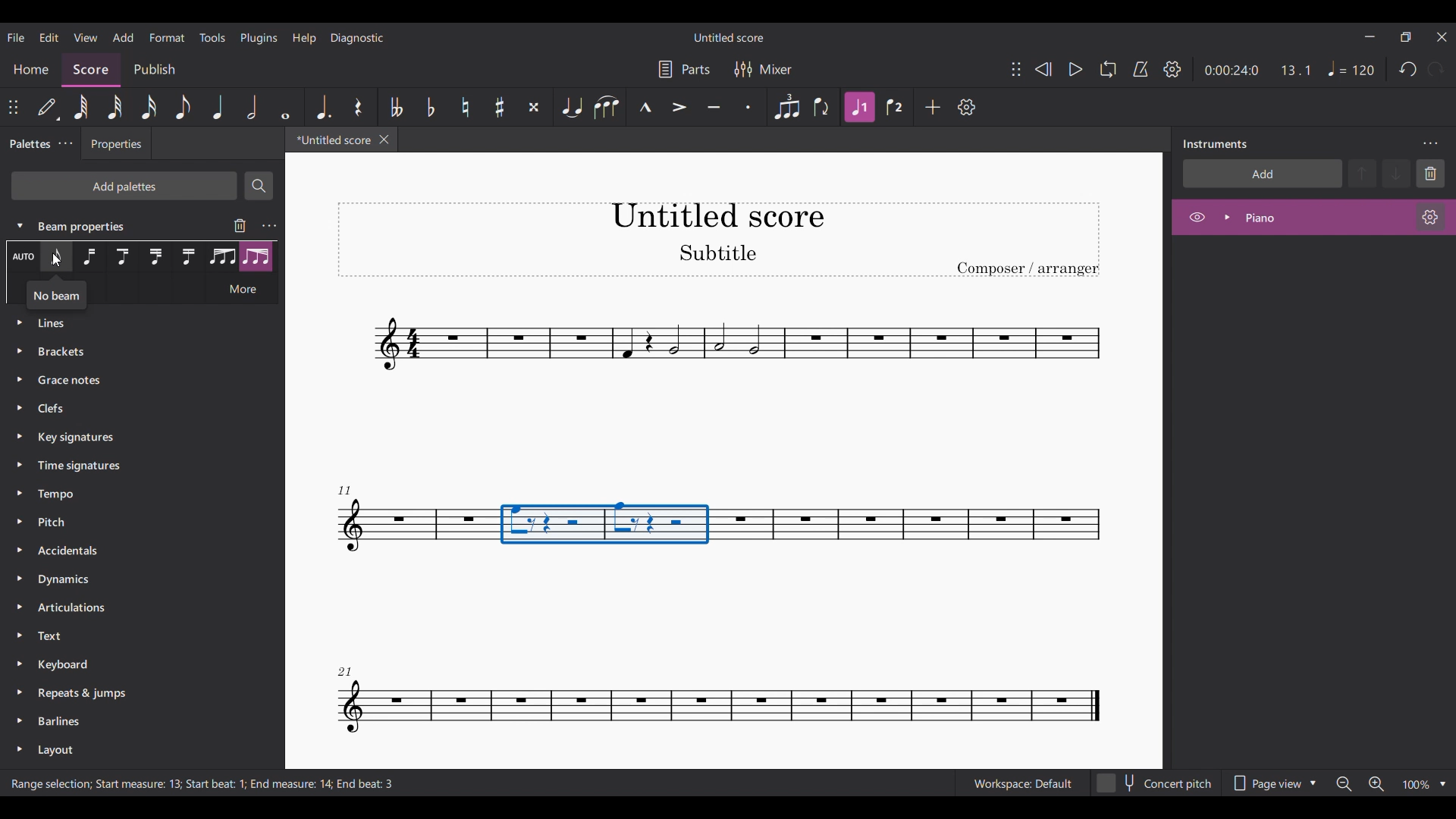  Describe the element at coordinates (135, 258) in the screenshot. I see `Lines` at that location.